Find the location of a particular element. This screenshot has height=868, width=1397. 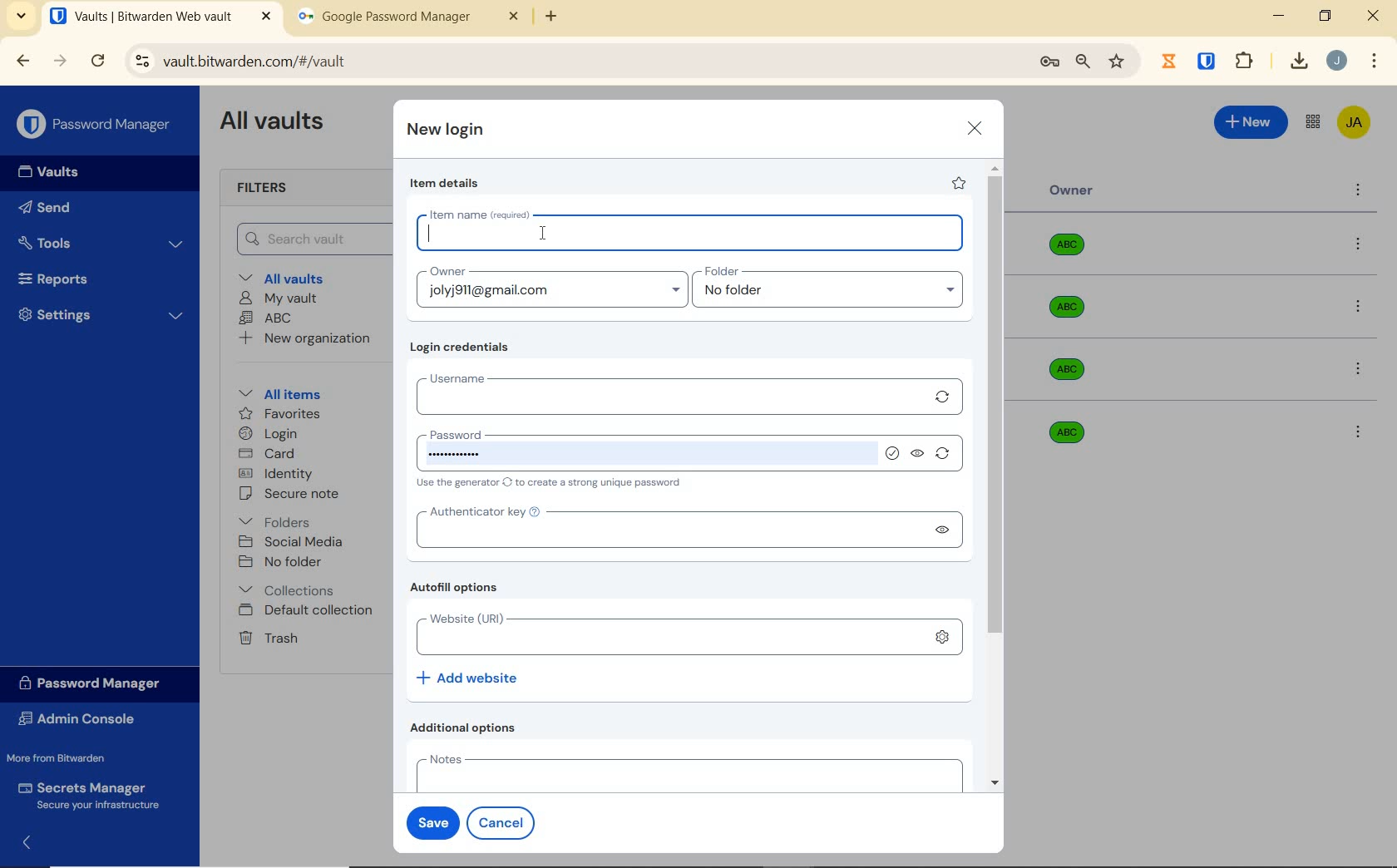

Trash is located at coordinates (265, 637).